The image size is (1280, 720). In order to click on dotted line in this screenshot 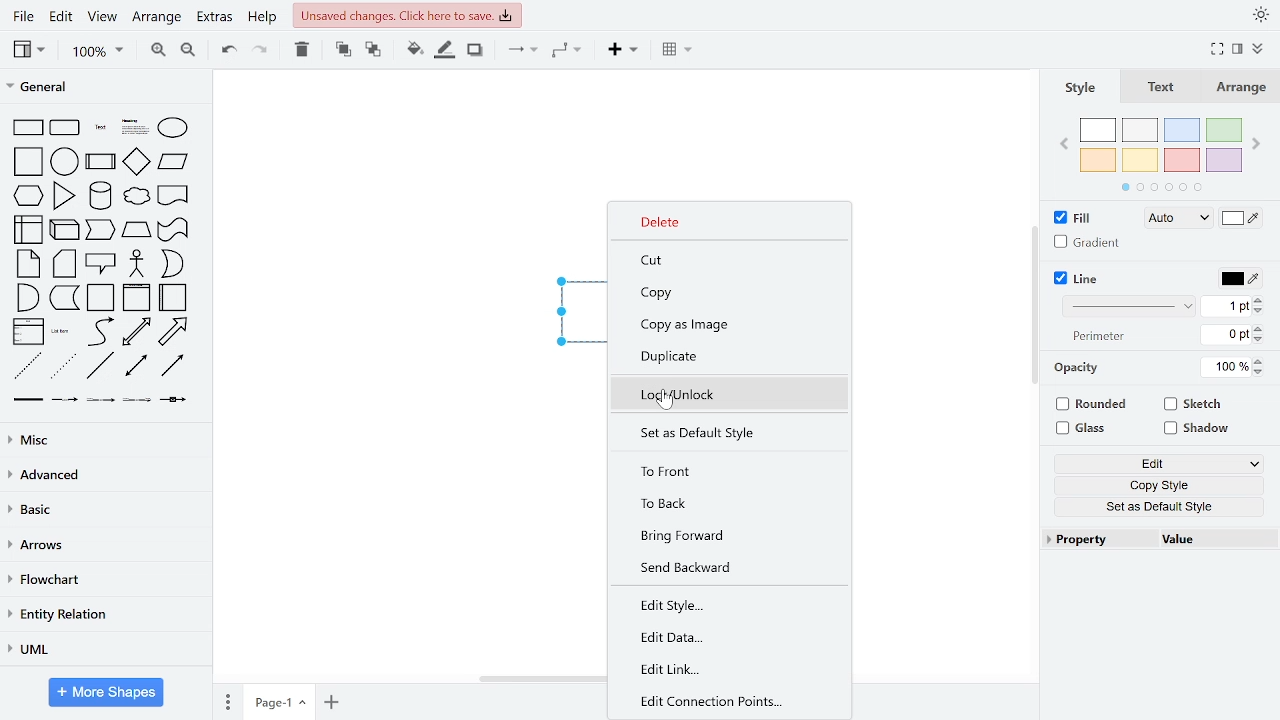, I will do `click(66, 365)`.